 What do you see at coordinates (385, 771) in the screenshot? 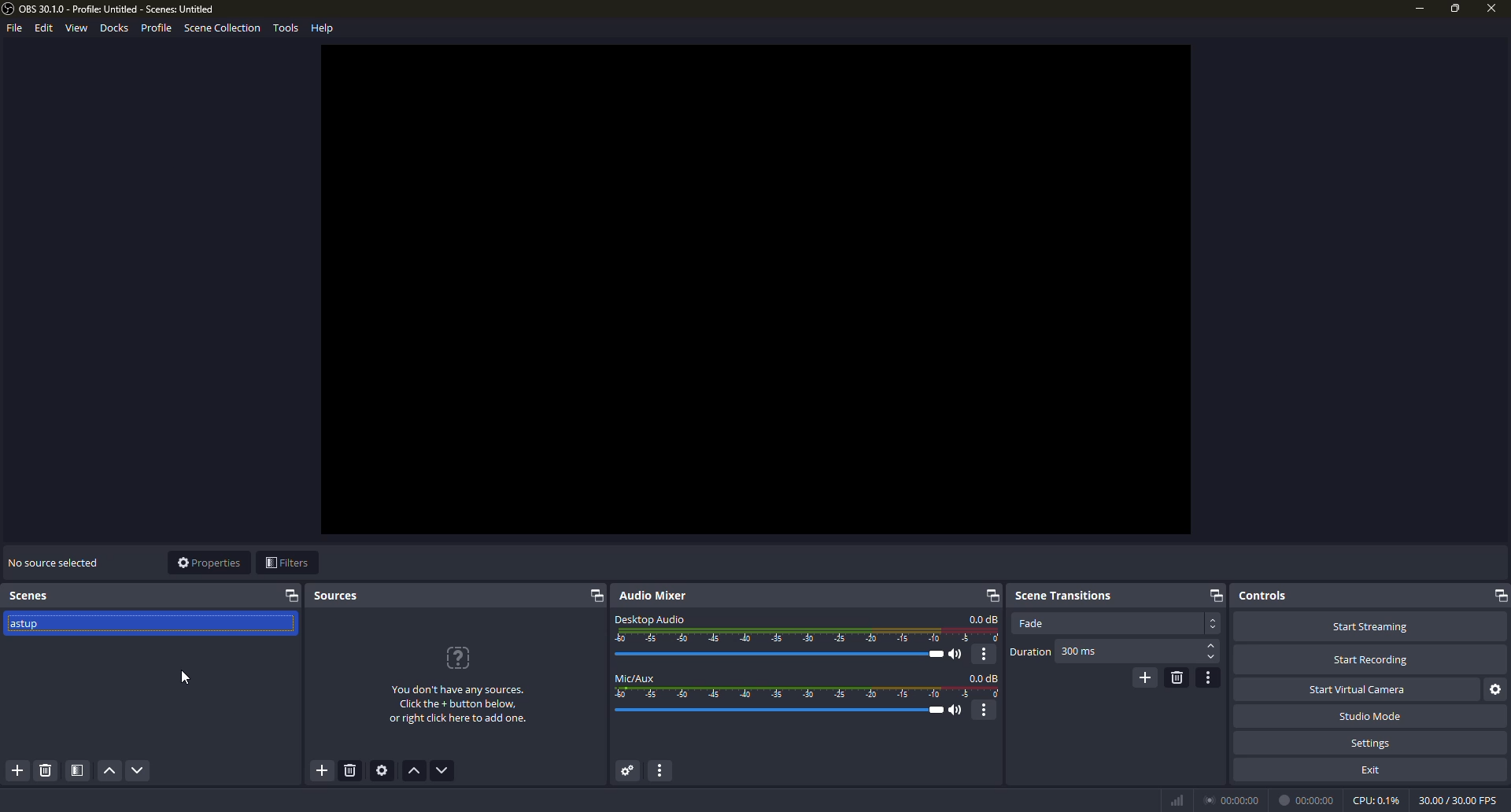
I see `open source properties` at bounding box center [385, 771].